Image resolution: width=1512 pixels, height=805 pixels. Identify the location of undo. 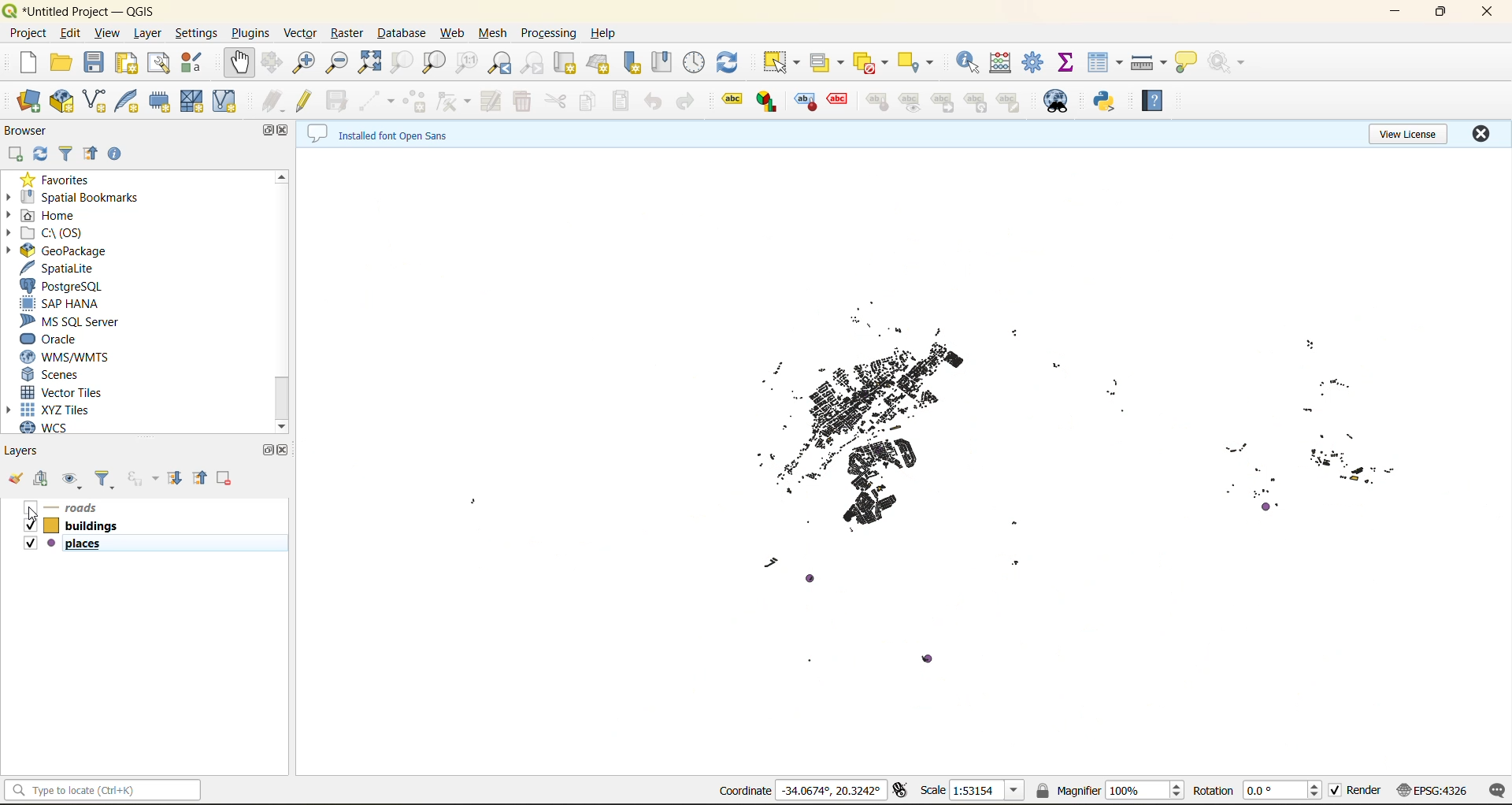
(655, 106).